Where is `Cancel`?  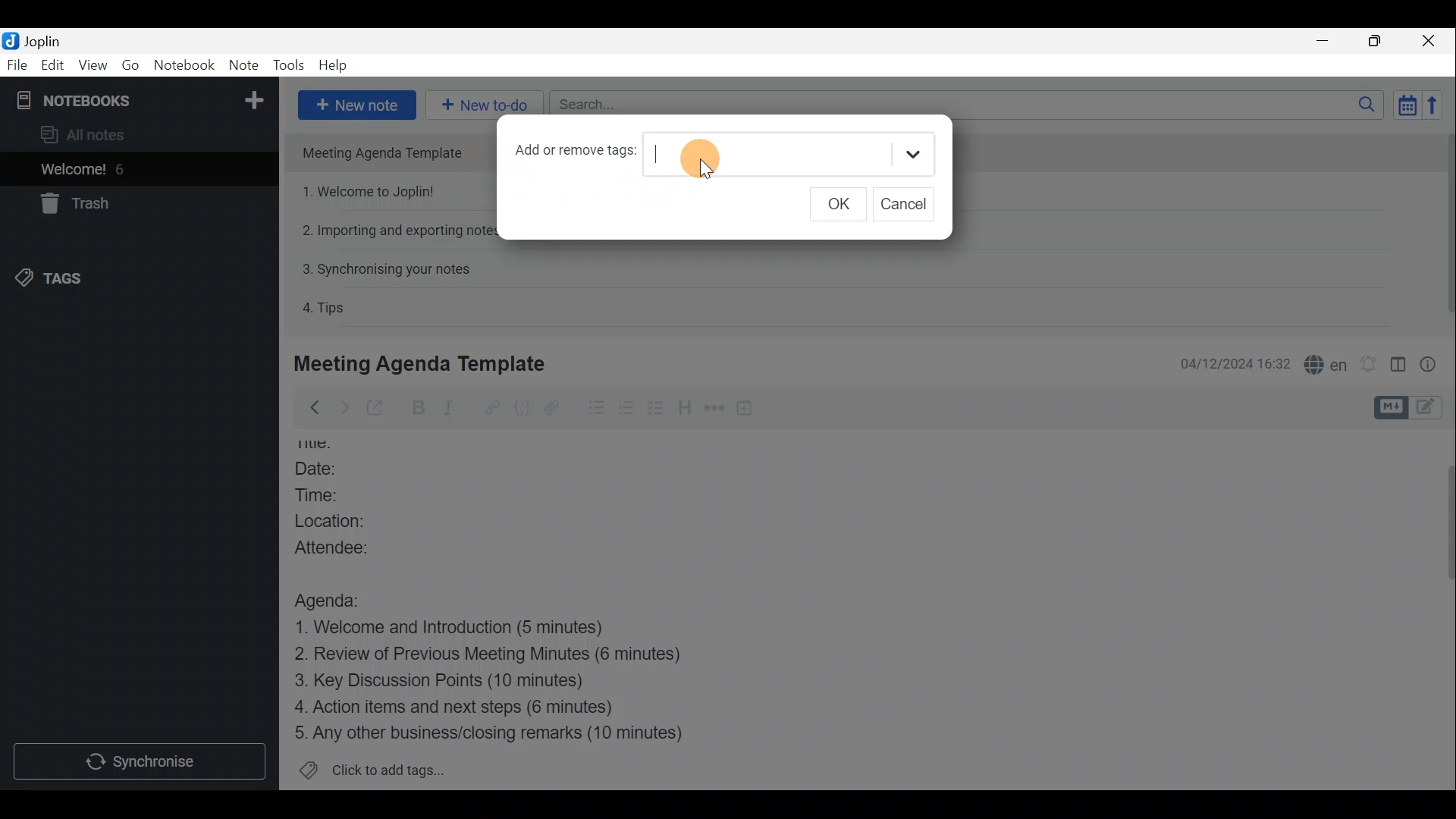
Cancel is located at coordinates (903, 205).